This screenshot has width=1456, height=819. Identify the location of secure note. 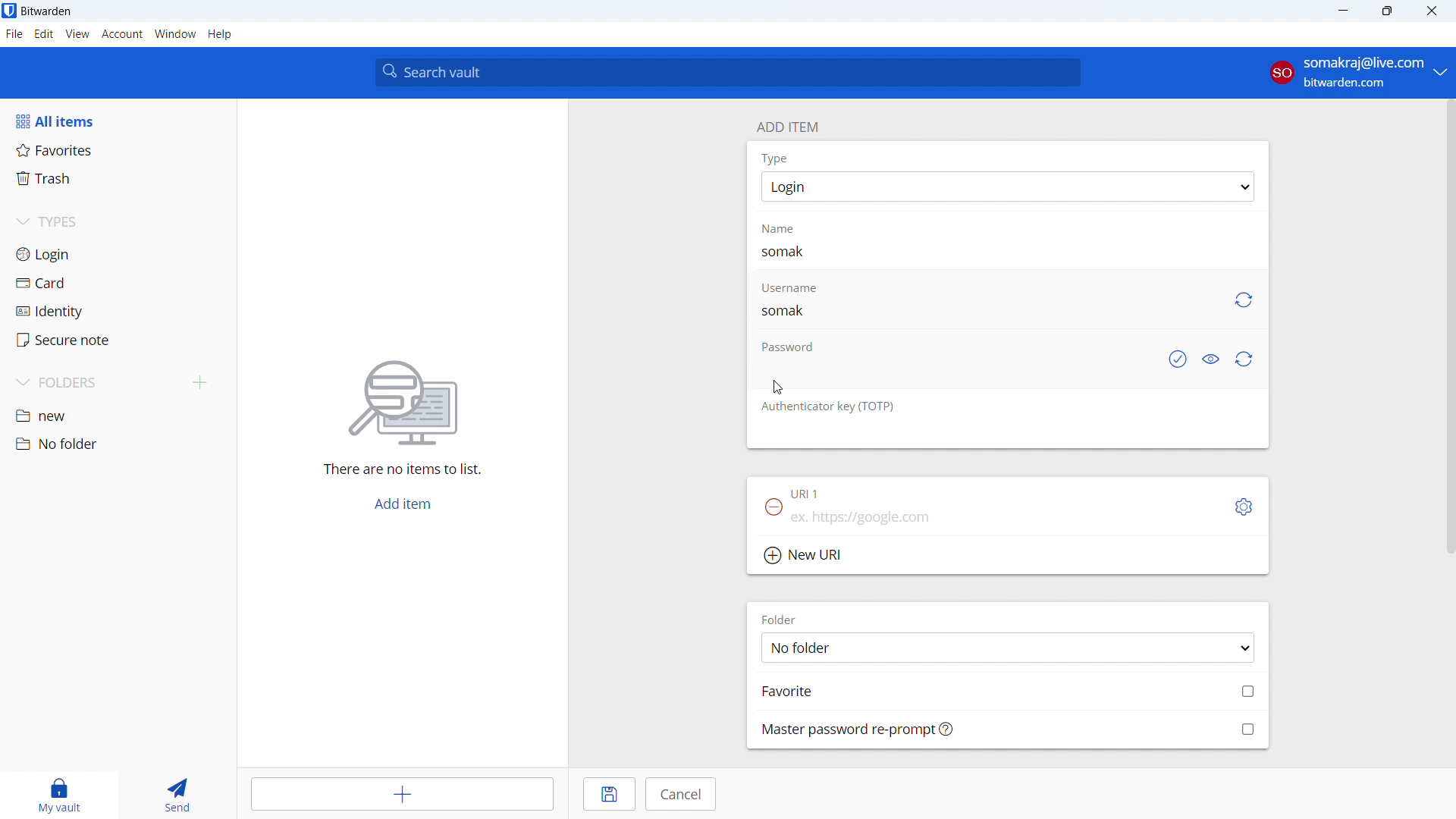
(118, 340).